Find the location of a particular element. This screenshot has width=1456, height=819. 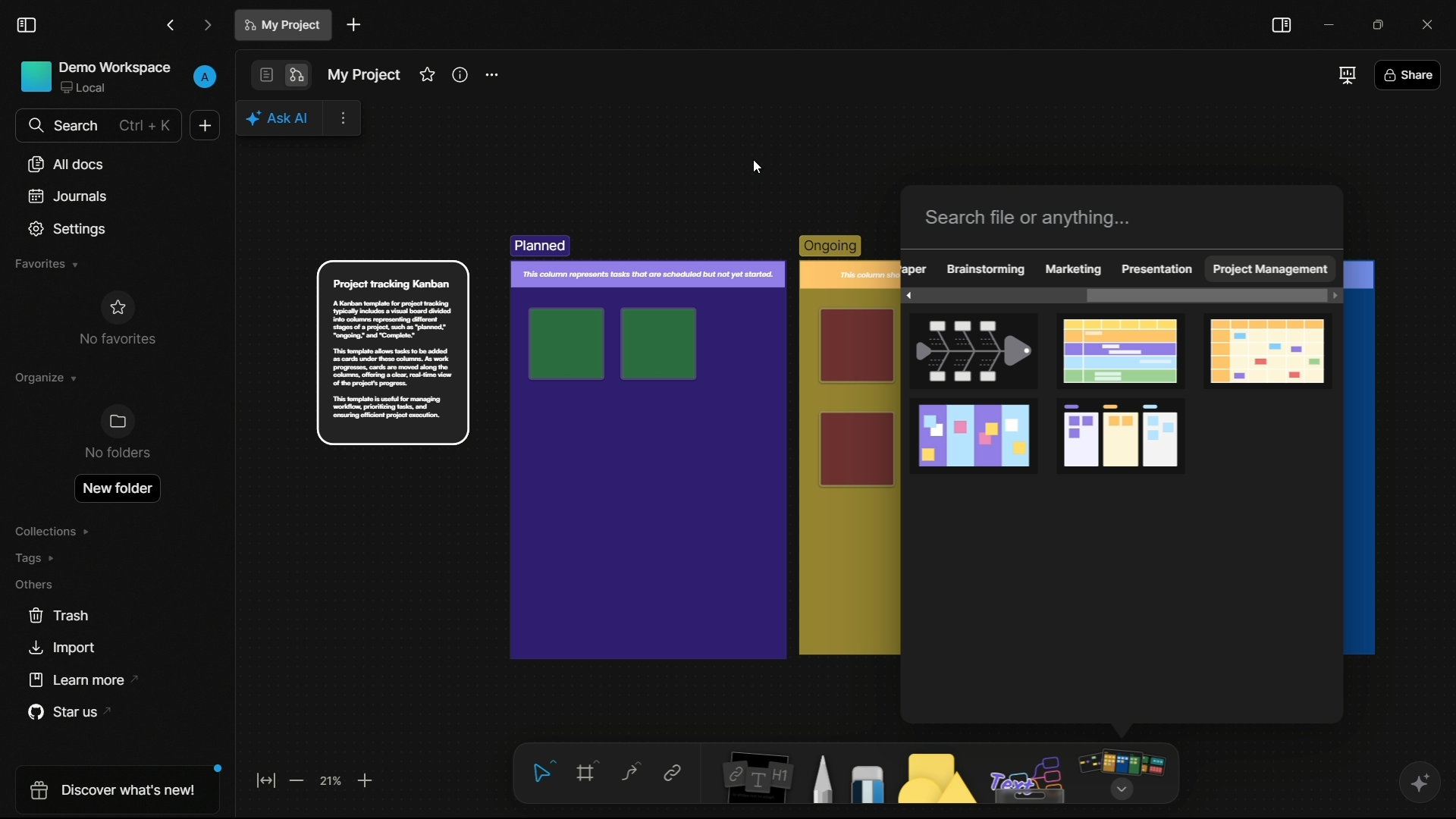

tags is located at coordinates (36, 558).